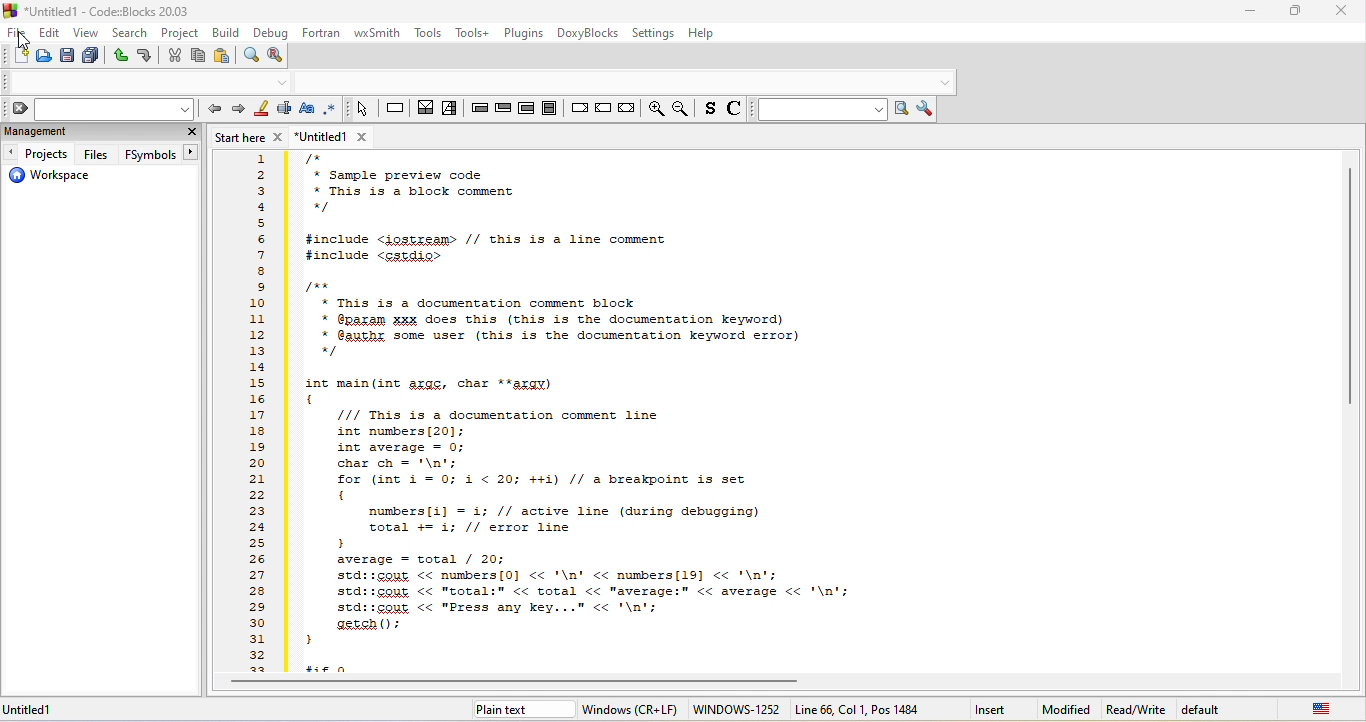 This screenshot has width=1366, height=722. I want to click on counting loop, so click(525, 108).